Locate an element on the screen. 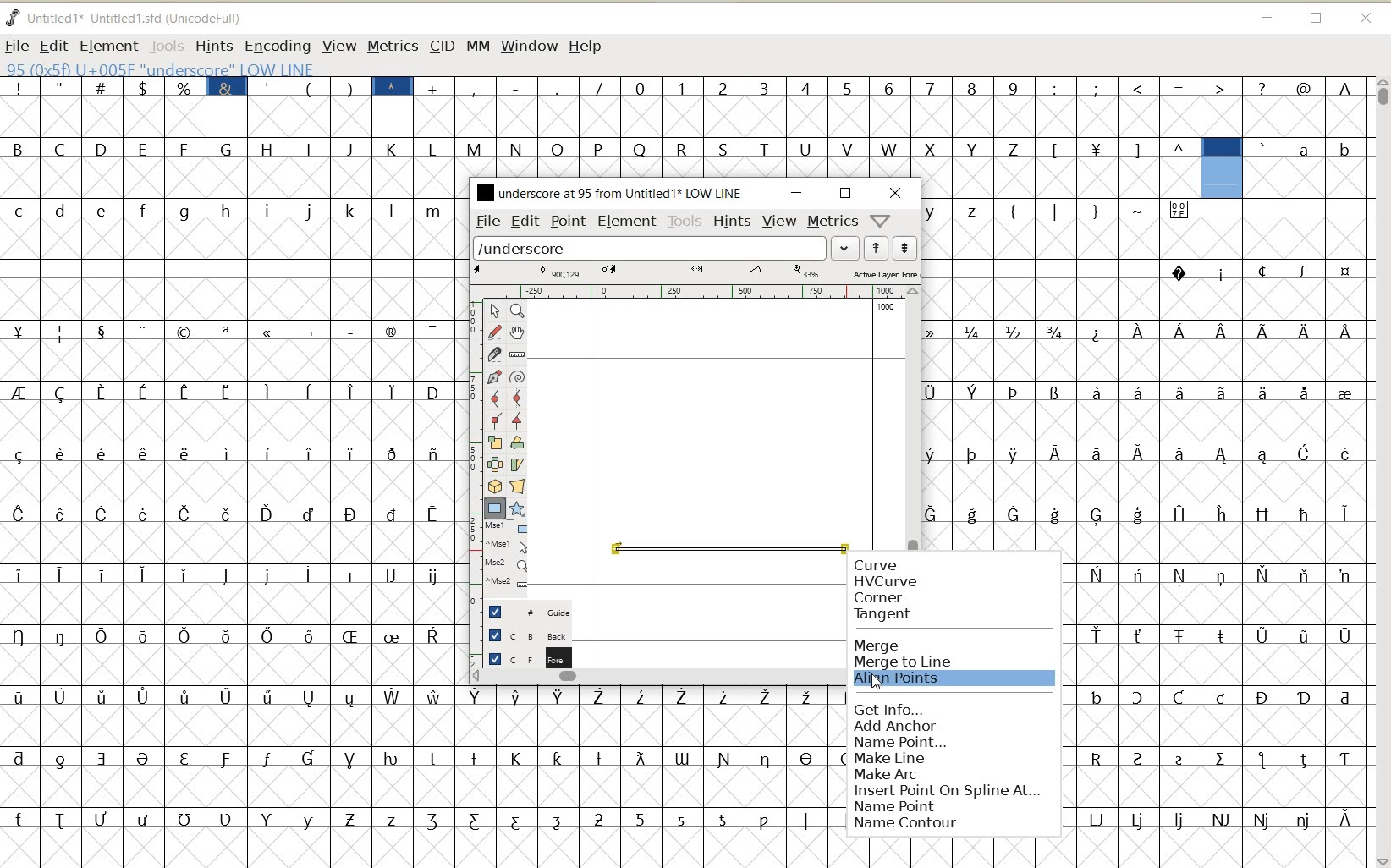  HINTS is located at coordinates (213, 46).